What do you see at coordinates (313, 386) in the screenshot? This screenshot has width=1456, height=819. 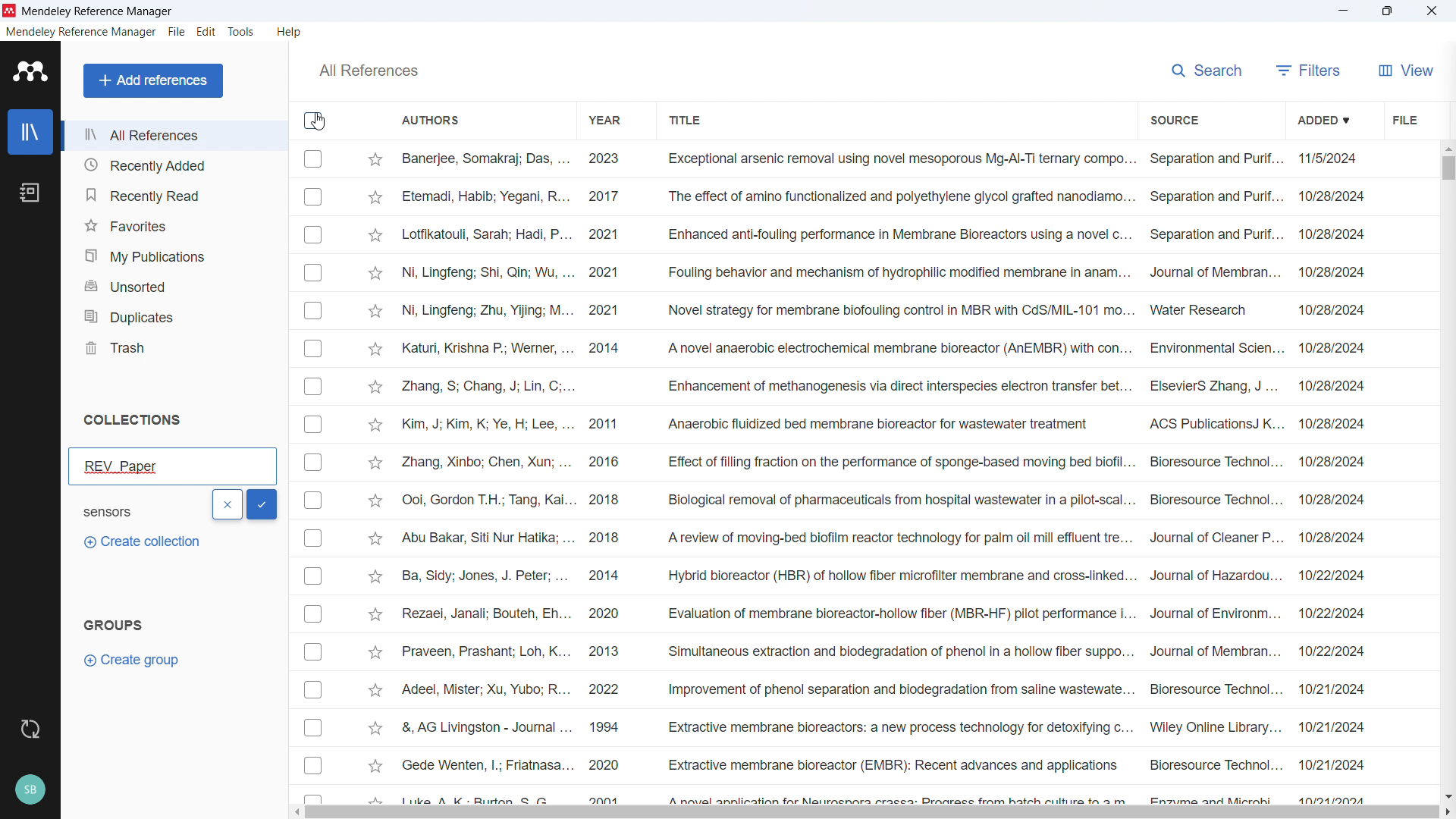 I see `Select respective publication` at bounding box center [313, 386].